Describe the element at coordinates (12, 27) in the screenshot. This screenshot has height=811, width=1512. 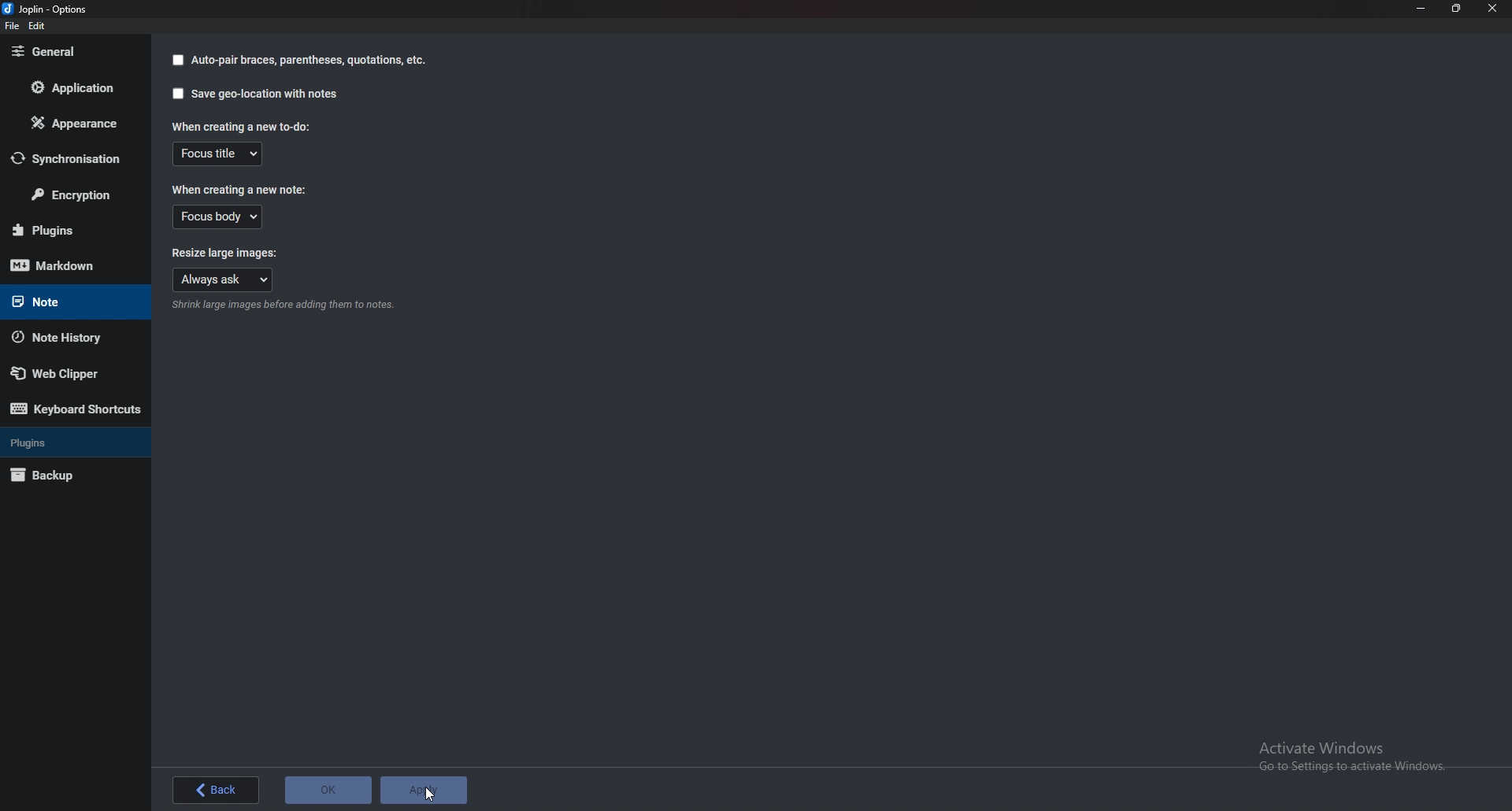
I see `file` at that location.